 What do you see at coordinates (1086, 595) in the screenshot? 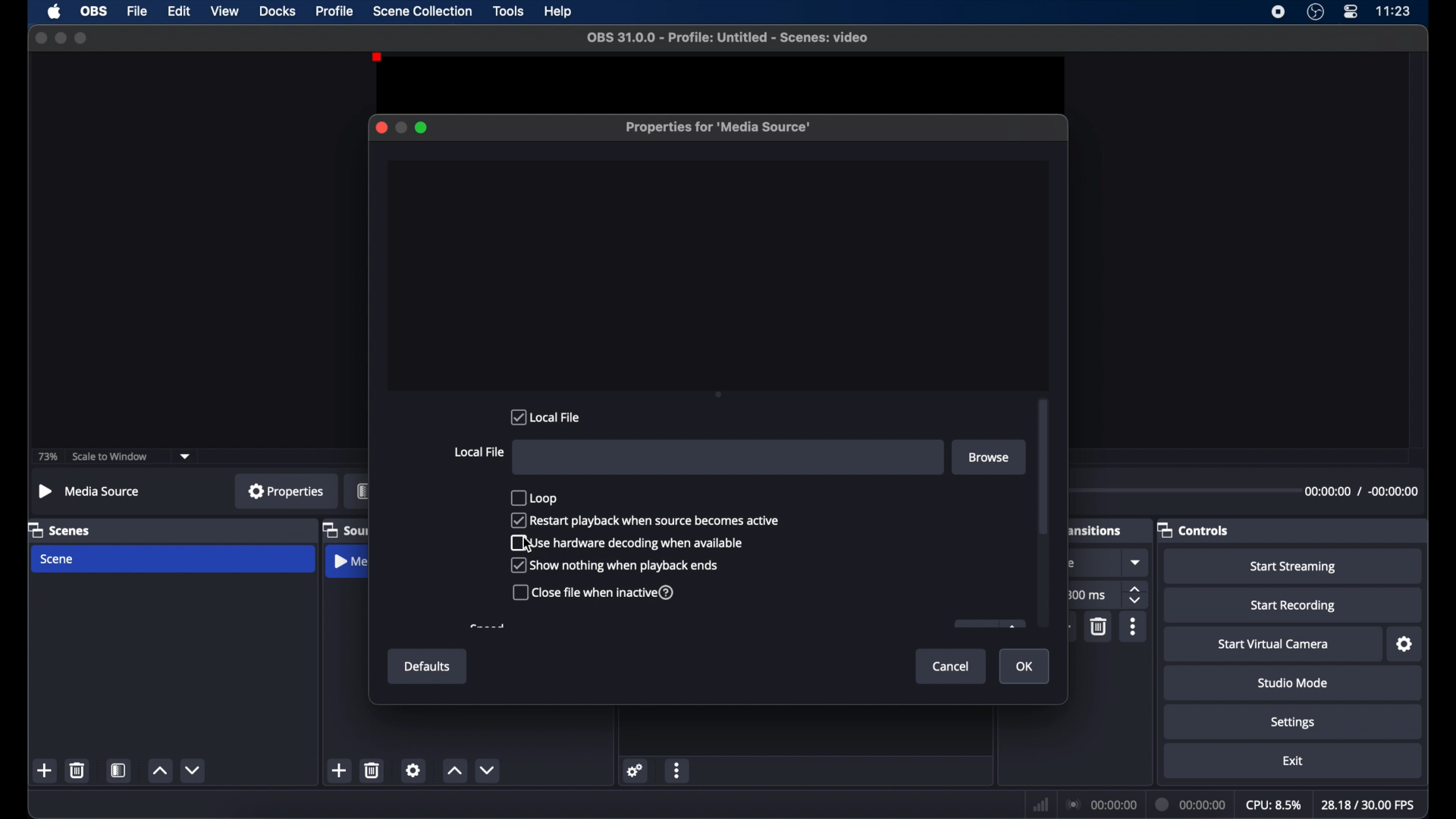
I see `300 ms` at bounding box center [1086, 595].